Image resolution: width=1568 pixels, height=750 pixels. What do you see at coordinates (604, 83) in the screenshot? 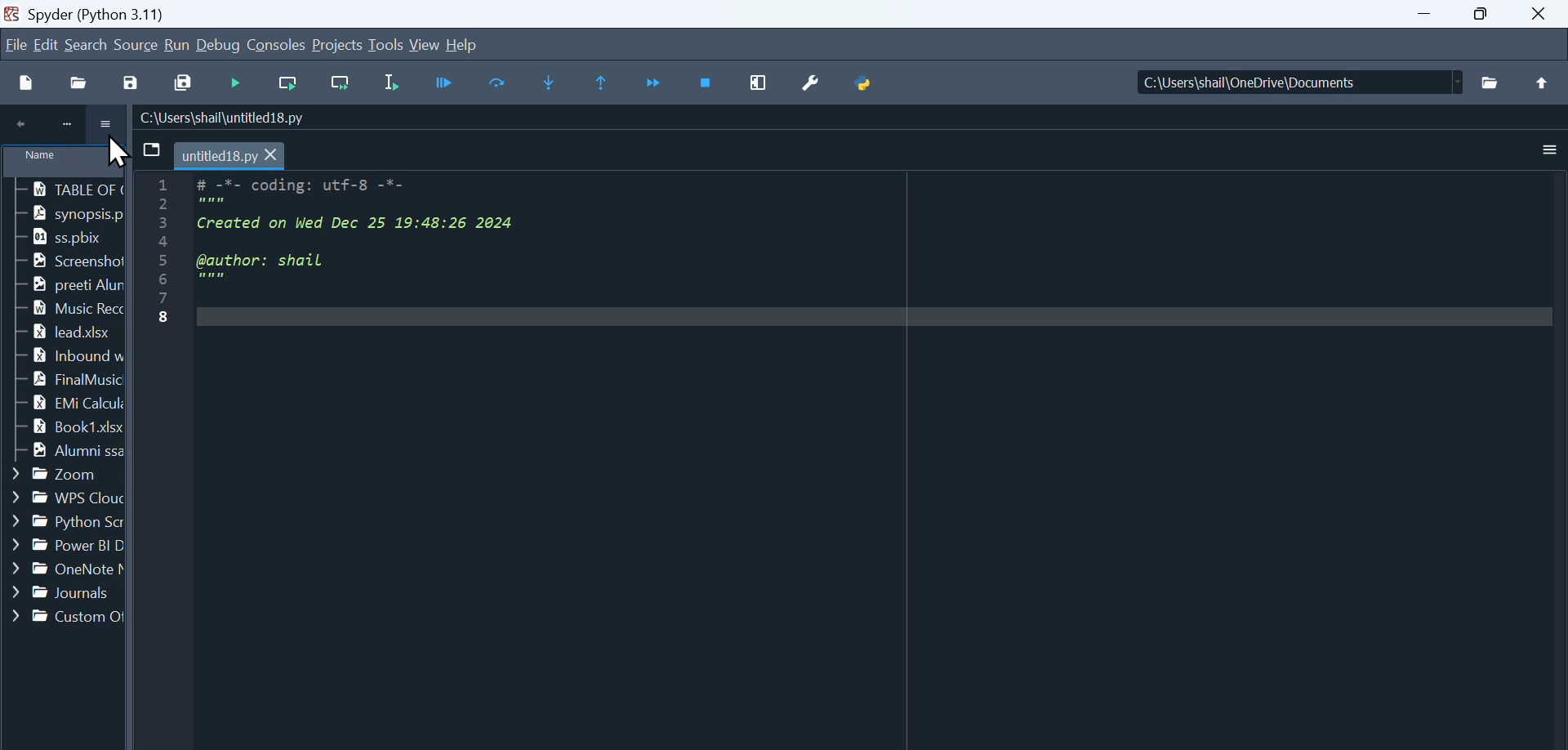
I see `Execute until same function returns` at bounding box center [604, 83].